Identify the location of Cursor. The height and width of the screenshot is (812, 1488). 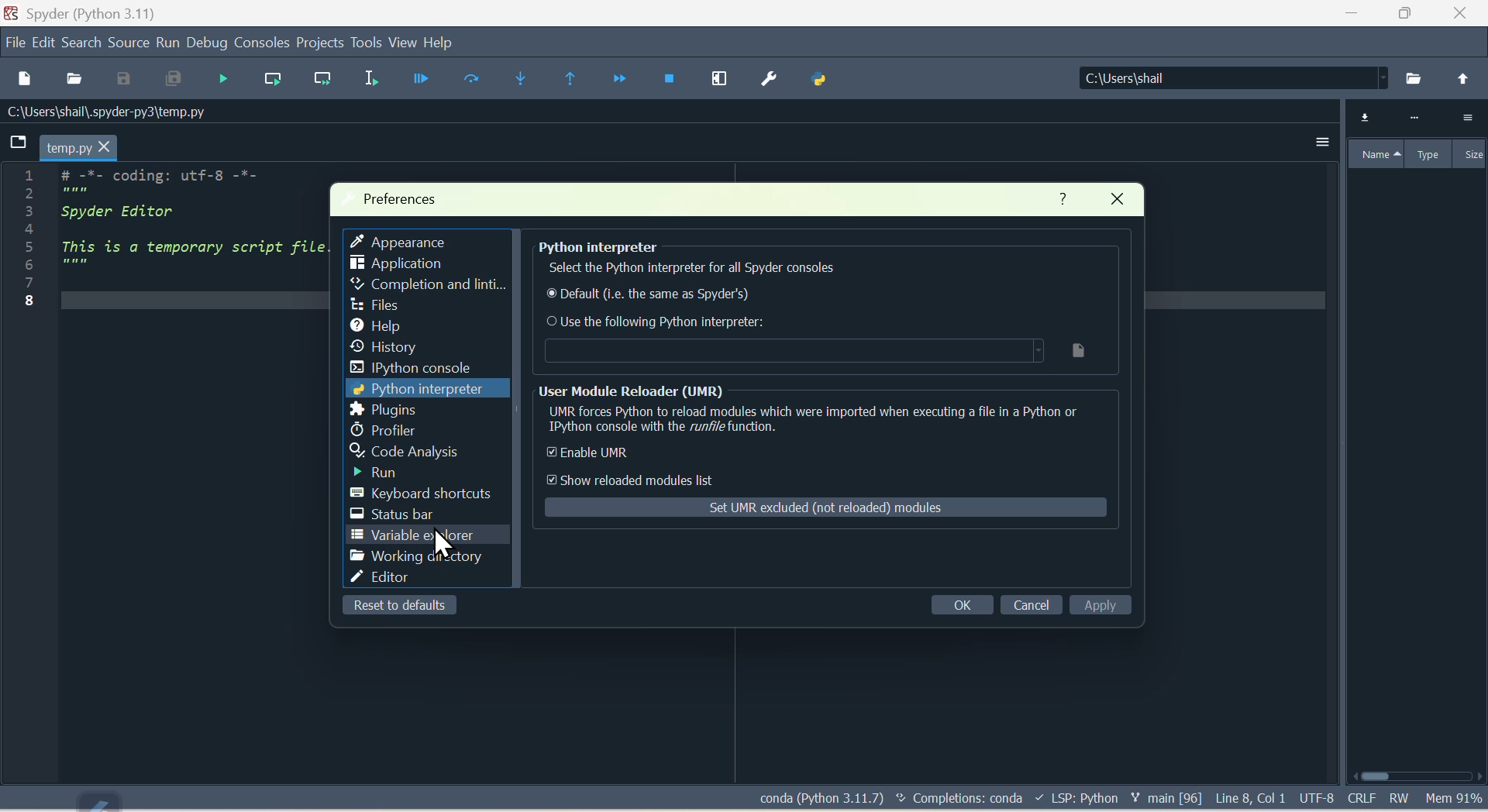
(445, 542).